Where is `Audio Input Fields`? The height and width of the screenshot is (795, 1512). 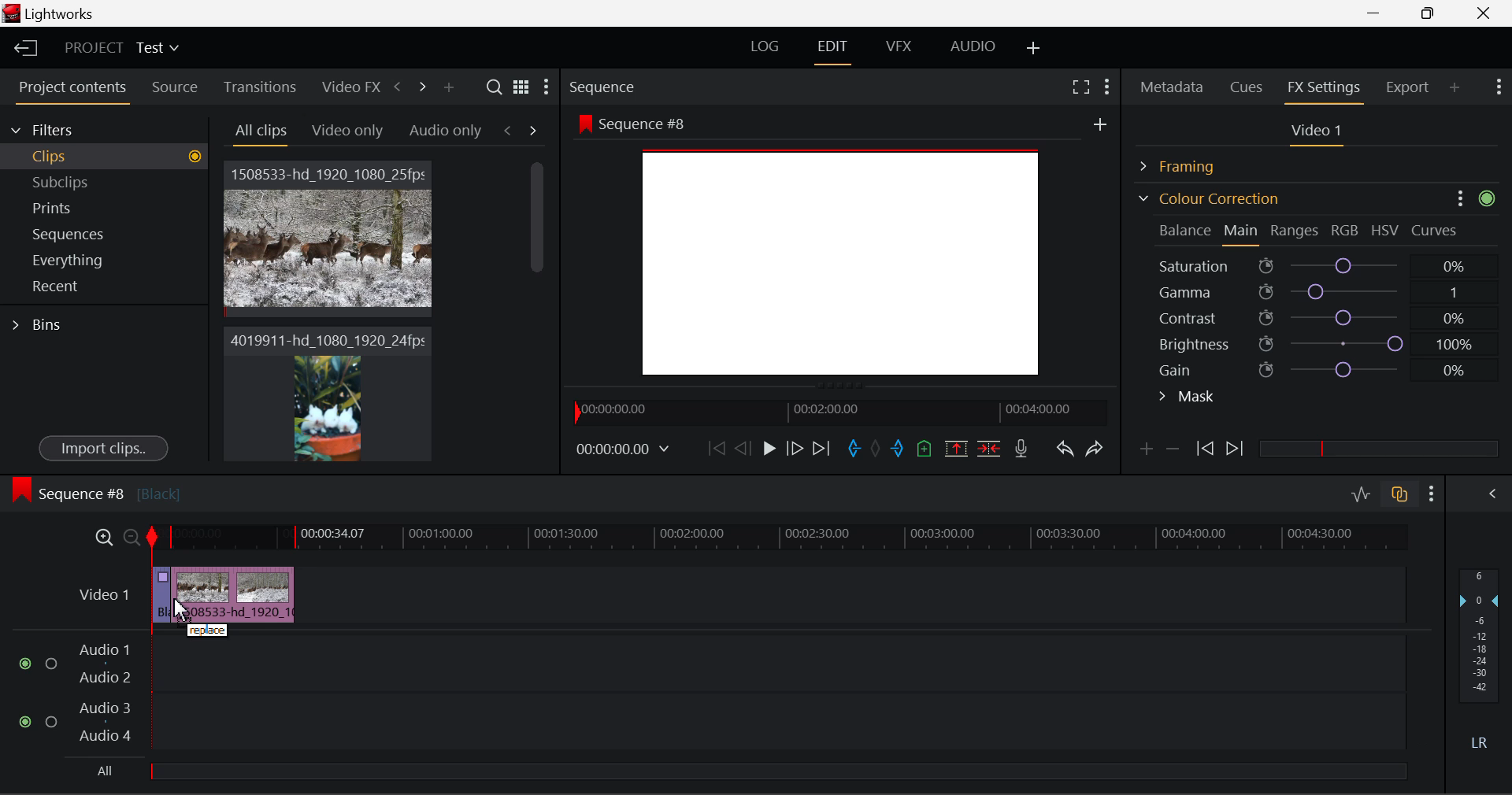
Audio Input Fields is located at coordinates (712, 694).